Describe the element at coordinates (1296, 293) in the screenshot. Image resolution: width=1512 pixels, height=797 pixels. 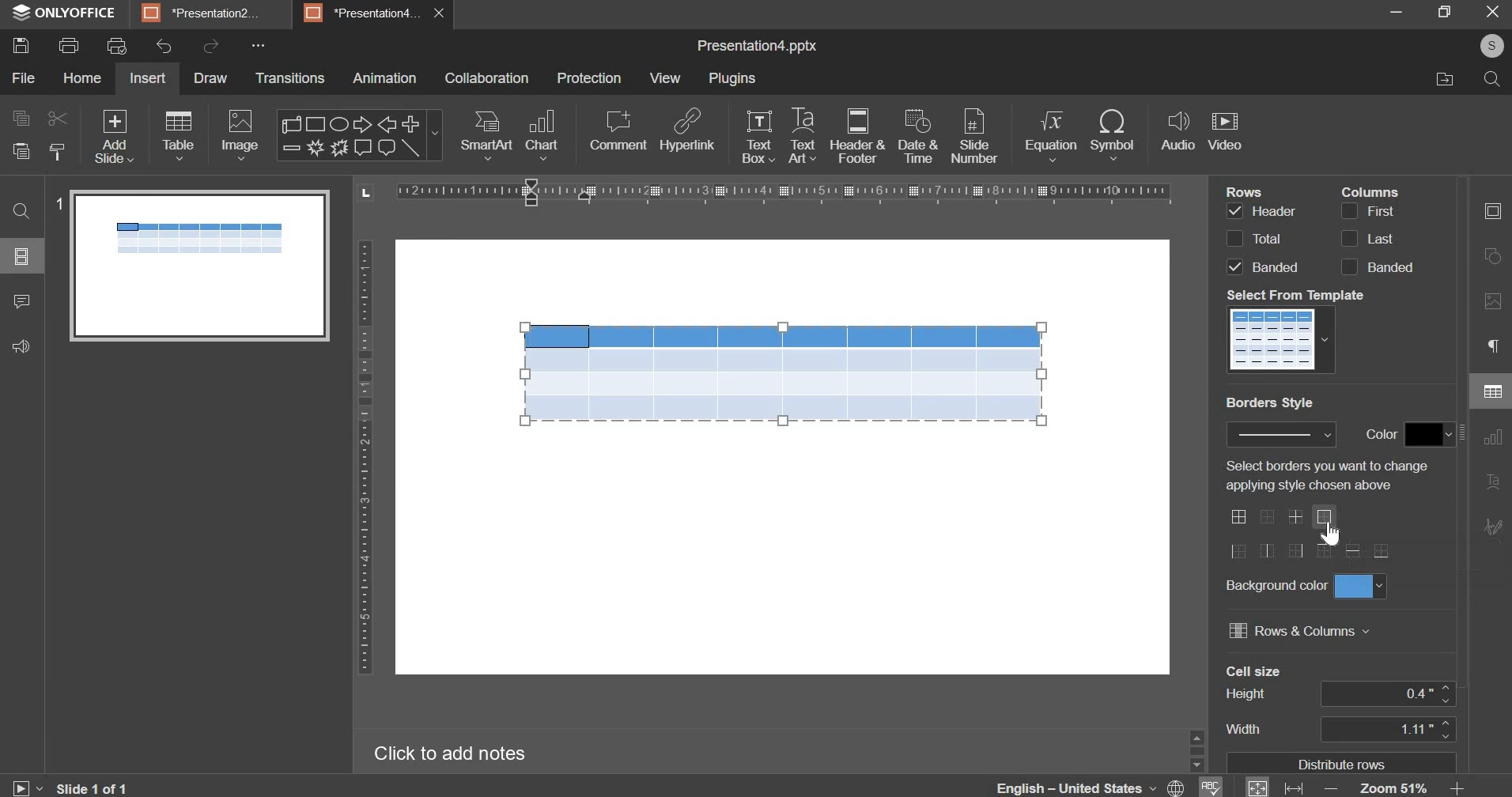
I see `select from template` at that location.